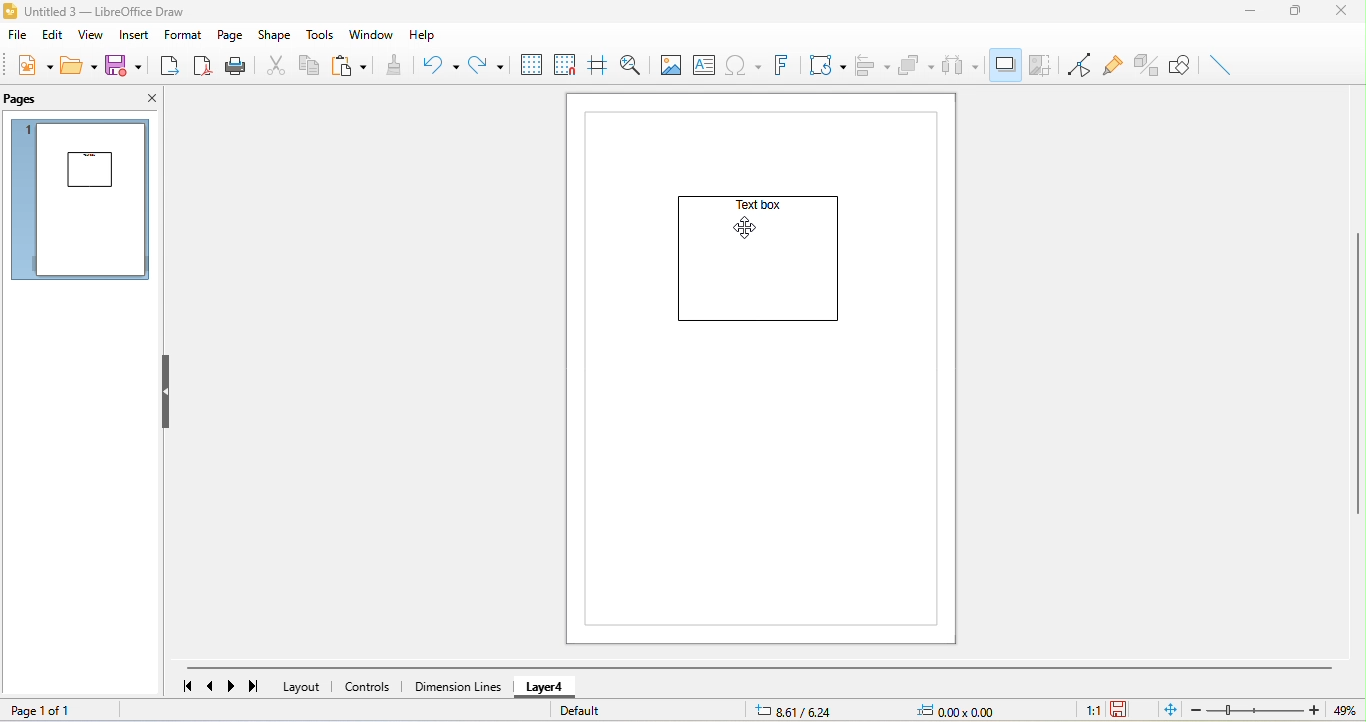 The height and width of the screenshot is (722, 1366). Describe the element at coordinates (421, 36) in the screenshot. I see `help` at that location.